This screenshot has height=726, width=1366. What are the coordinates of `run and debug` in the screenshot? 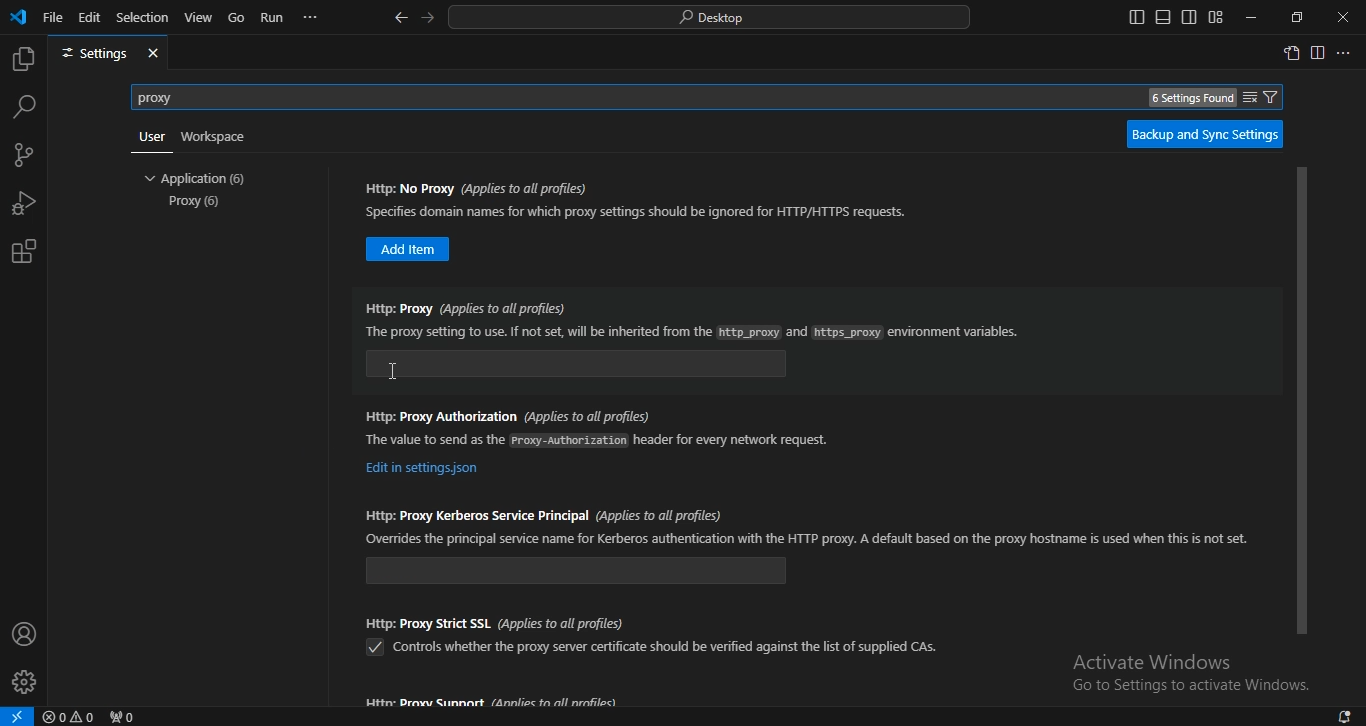 It's located at (22, 202).